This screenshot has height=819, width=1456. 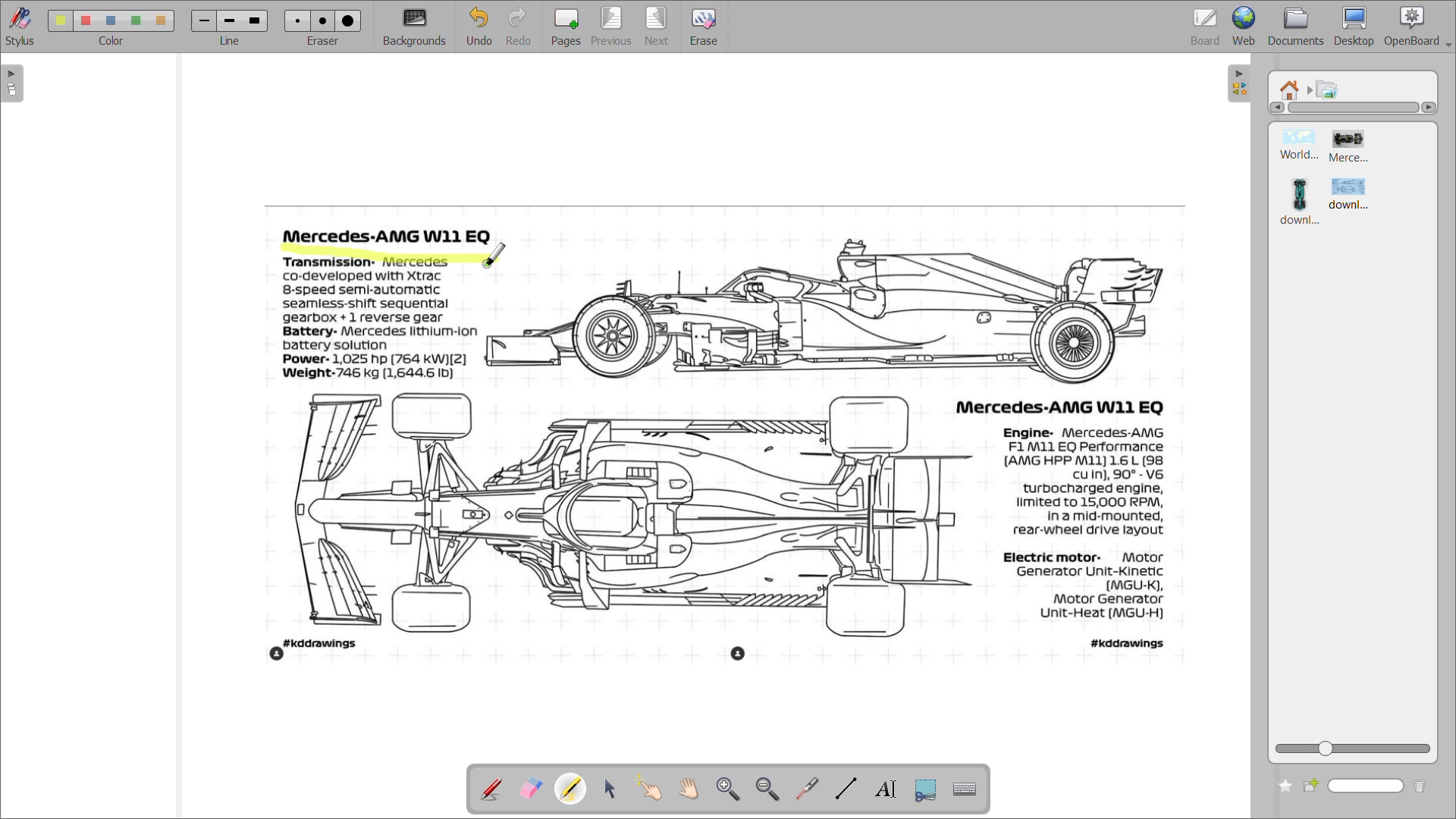 What do you see at coordinates (85, 20) in the screenshot?
I see `color 2` at bounding box center [85, 20].